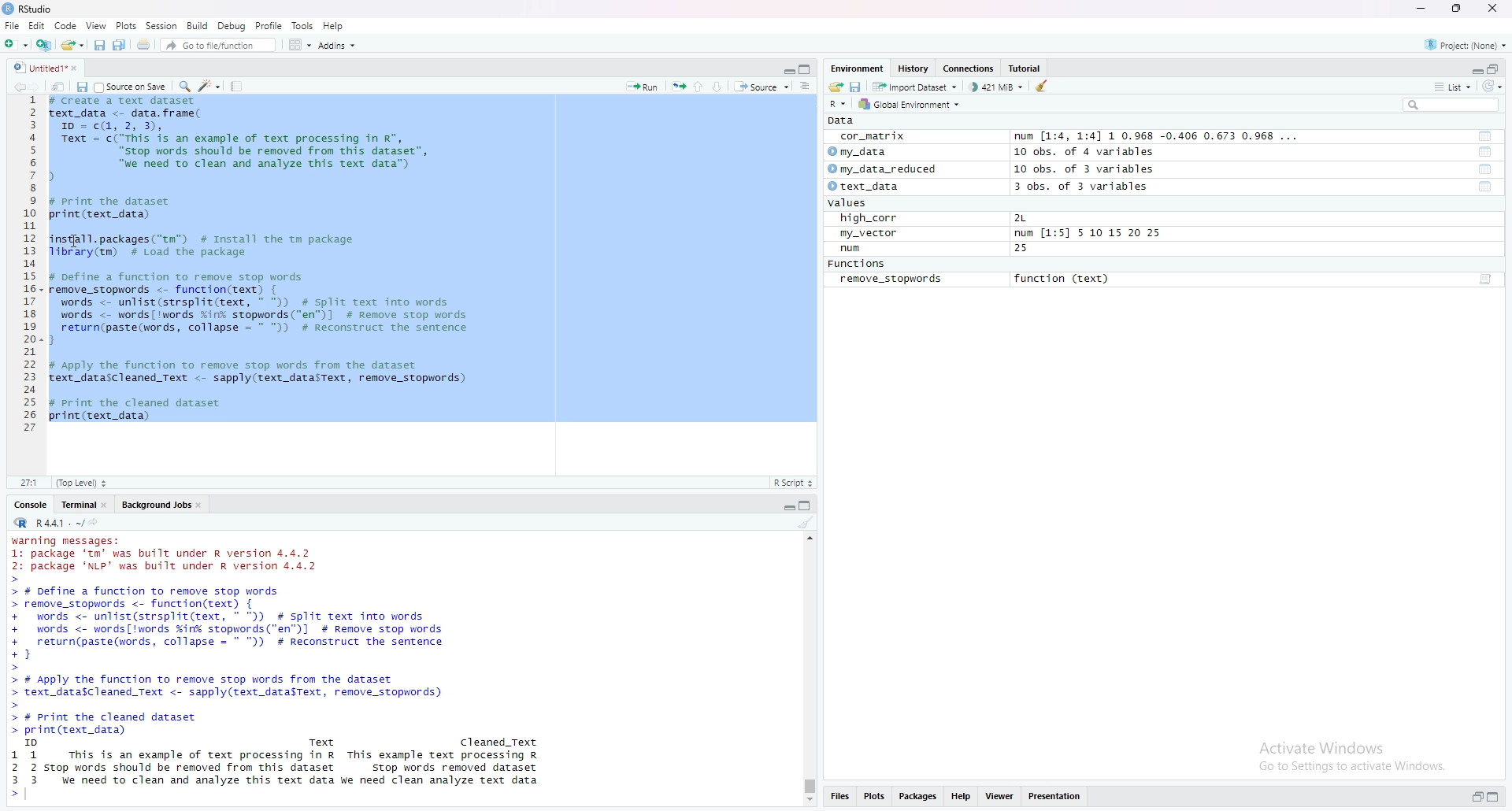 Image resolution: width=1512 pixels, height=811 pixels. Describe the element at coordinates (304, 26) in the screenshot. I see `tools` at that location.